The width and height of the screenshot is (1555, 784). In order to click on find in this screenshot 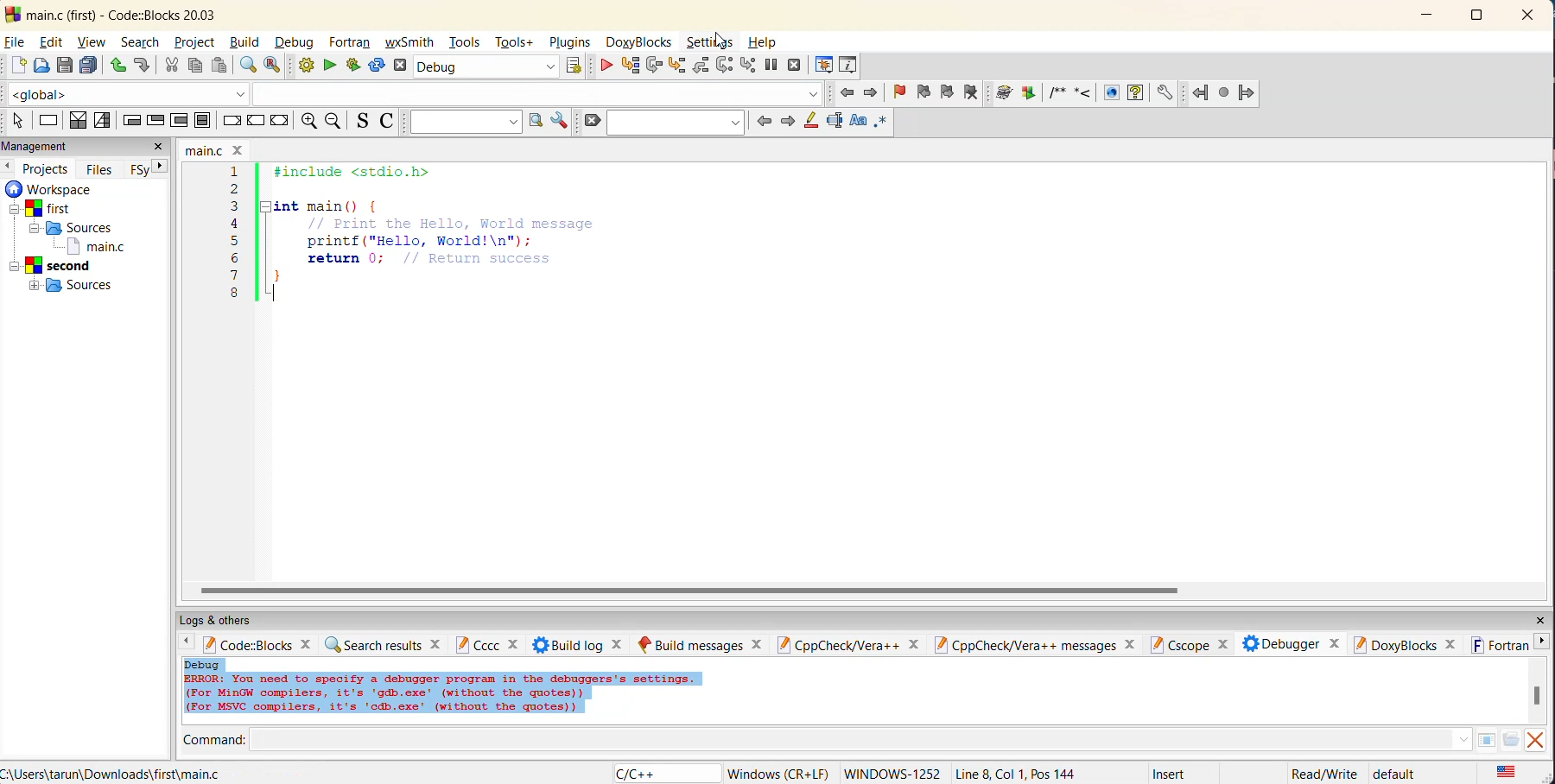, I will do `click(247, 67)`.